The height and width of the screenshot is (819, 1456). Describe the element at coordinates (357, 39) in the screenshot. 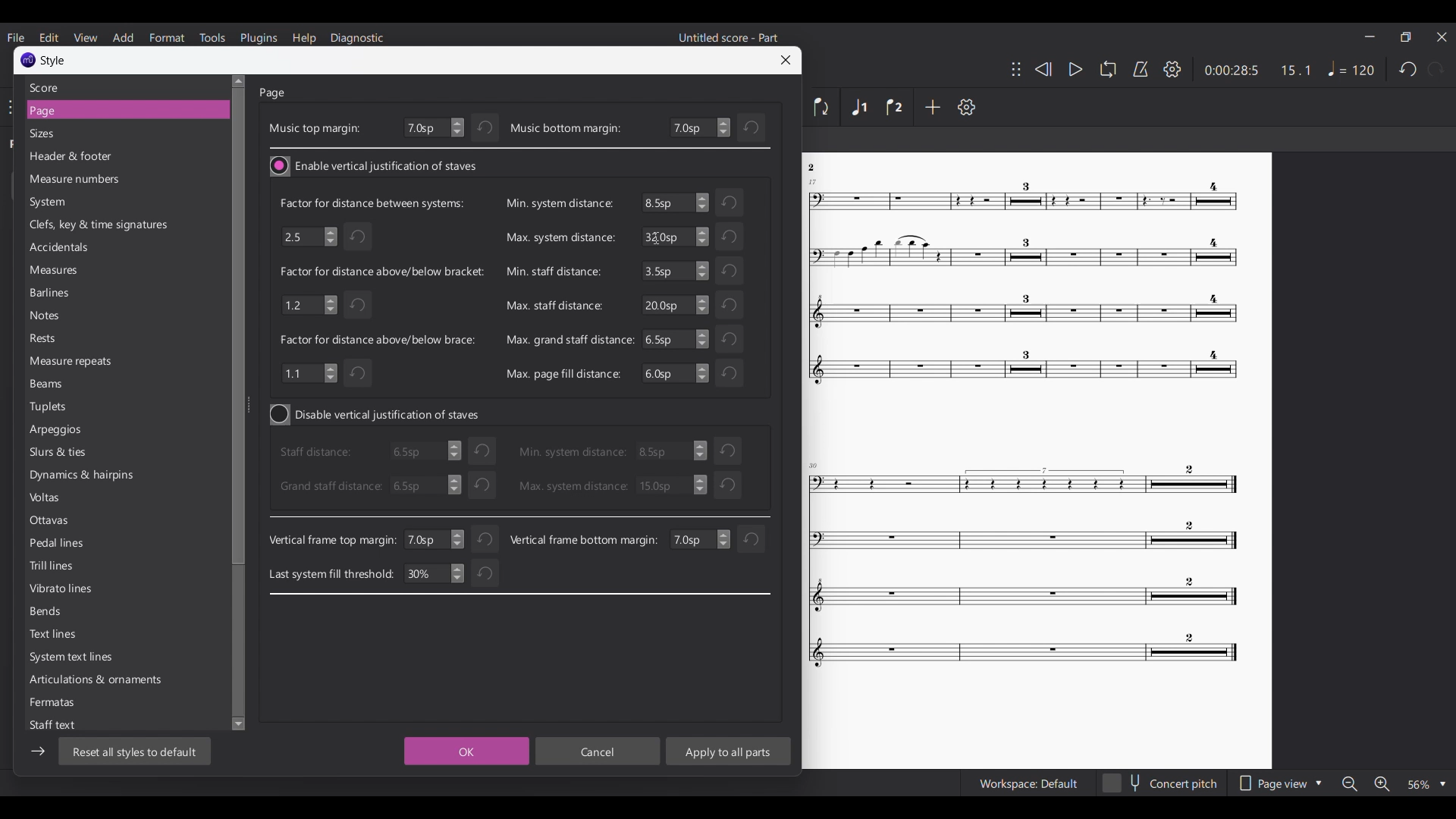

I see `Diagnostic menu` at that location.